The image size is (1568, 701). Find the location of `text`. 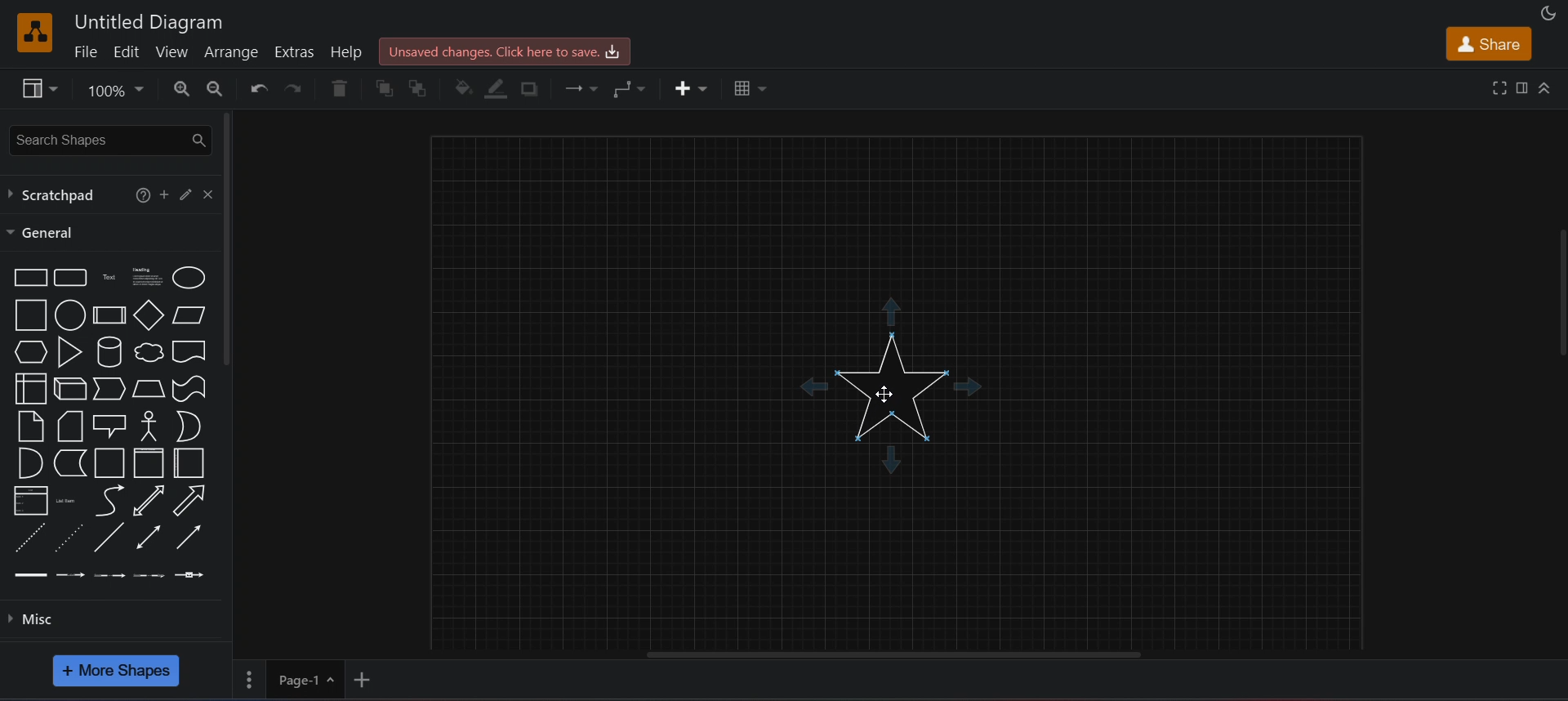

text is located at coordinates (106, 278).